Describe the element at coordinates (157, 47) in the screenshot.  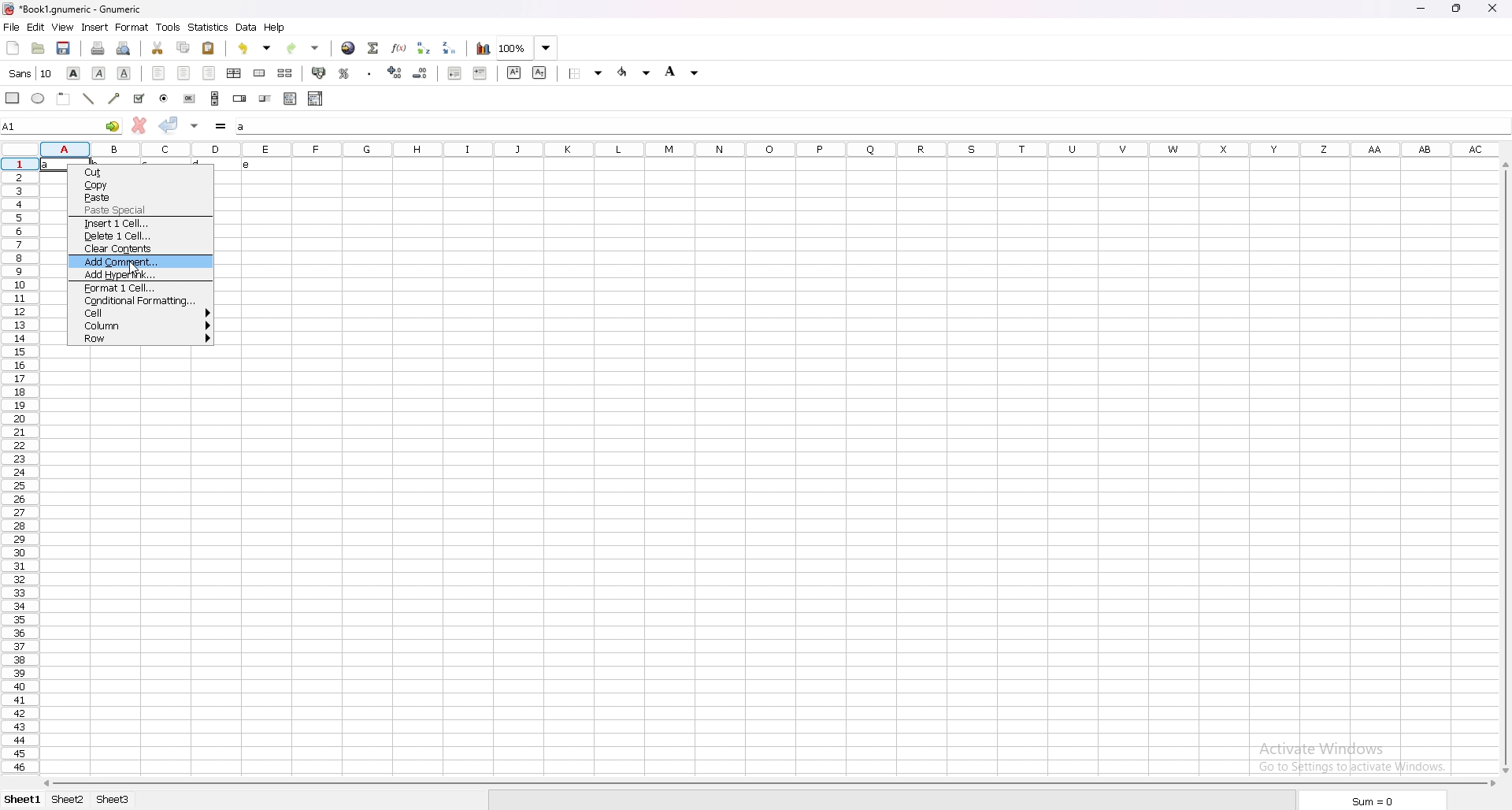
I see `cut` at that location.